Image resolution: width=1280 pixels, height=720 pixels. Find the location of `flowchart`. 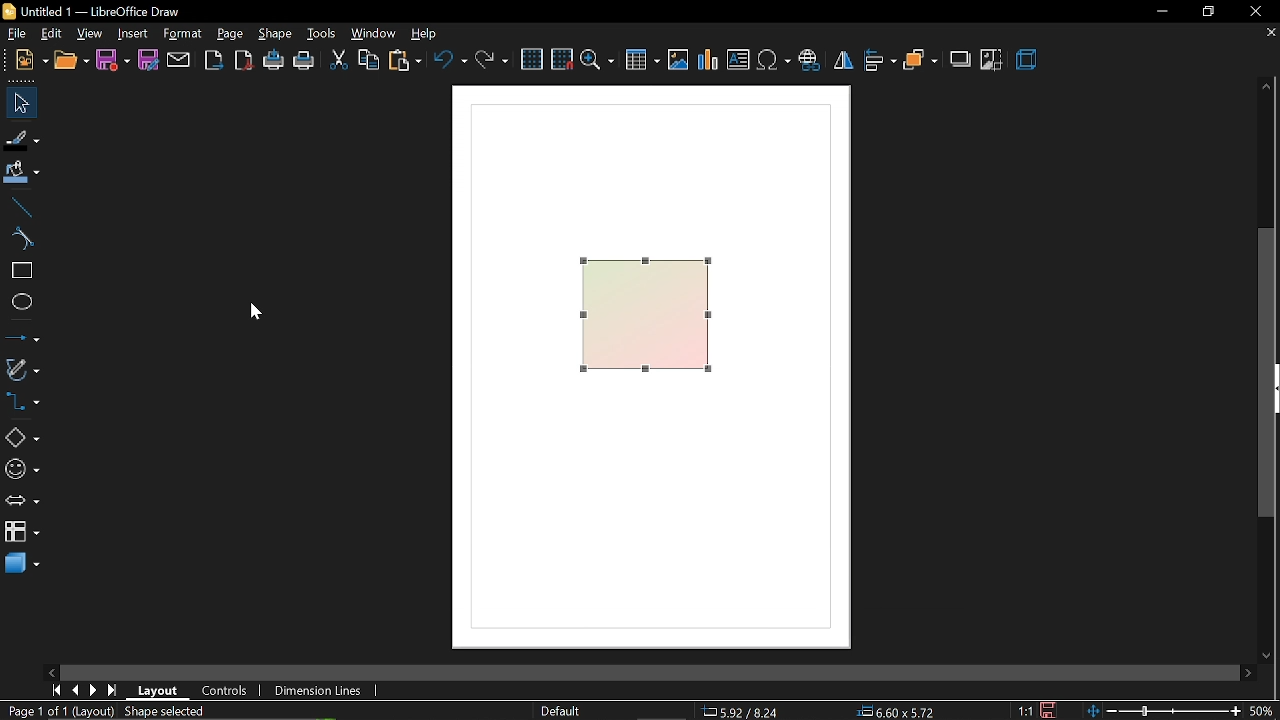

flowchart is located at coordinates (21, 530).